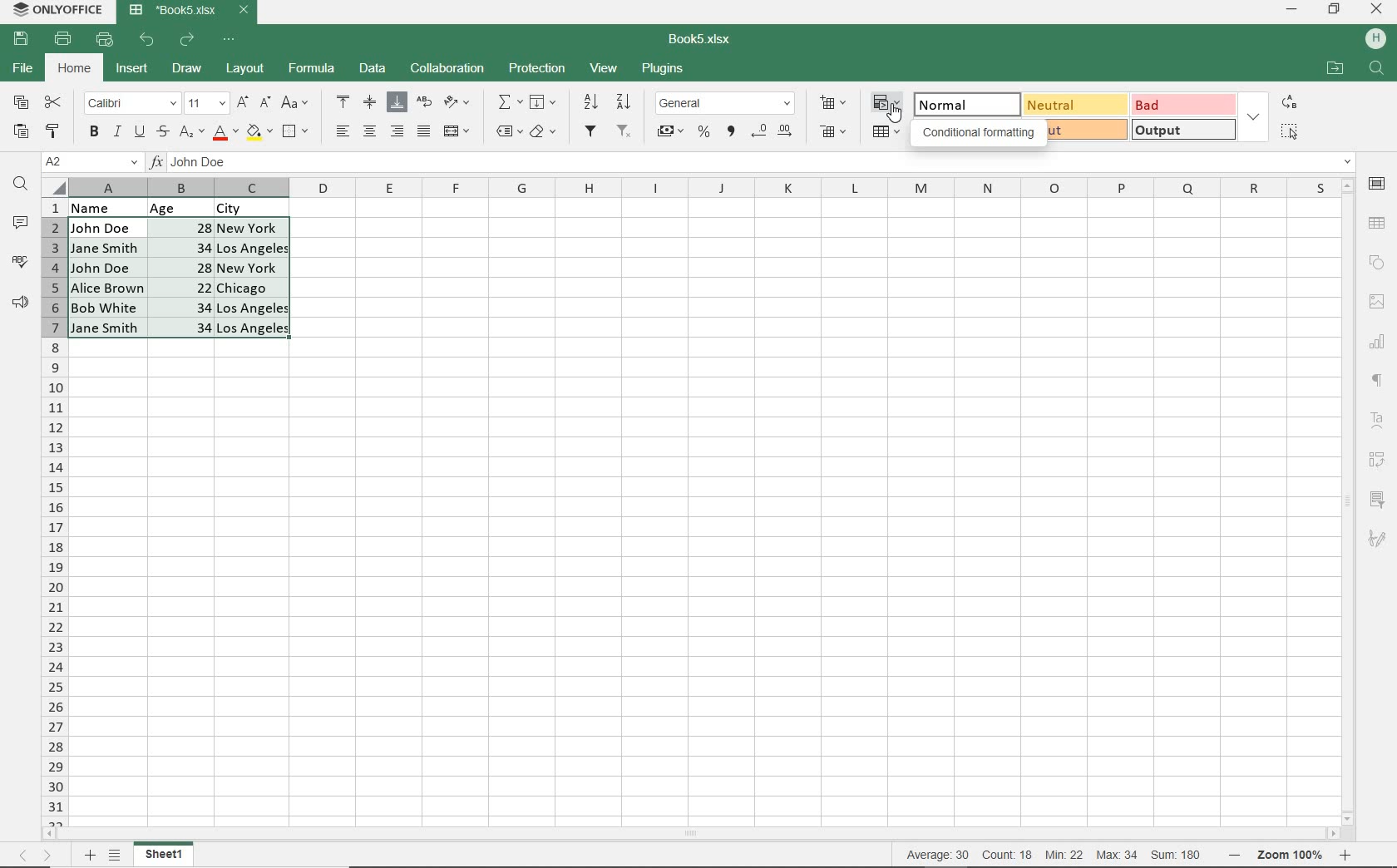 This screenshot has width=1397, height=868. Describe the element at coordinates (296, 103) in the screenshot. I see `CHANGE CASE` at that location.